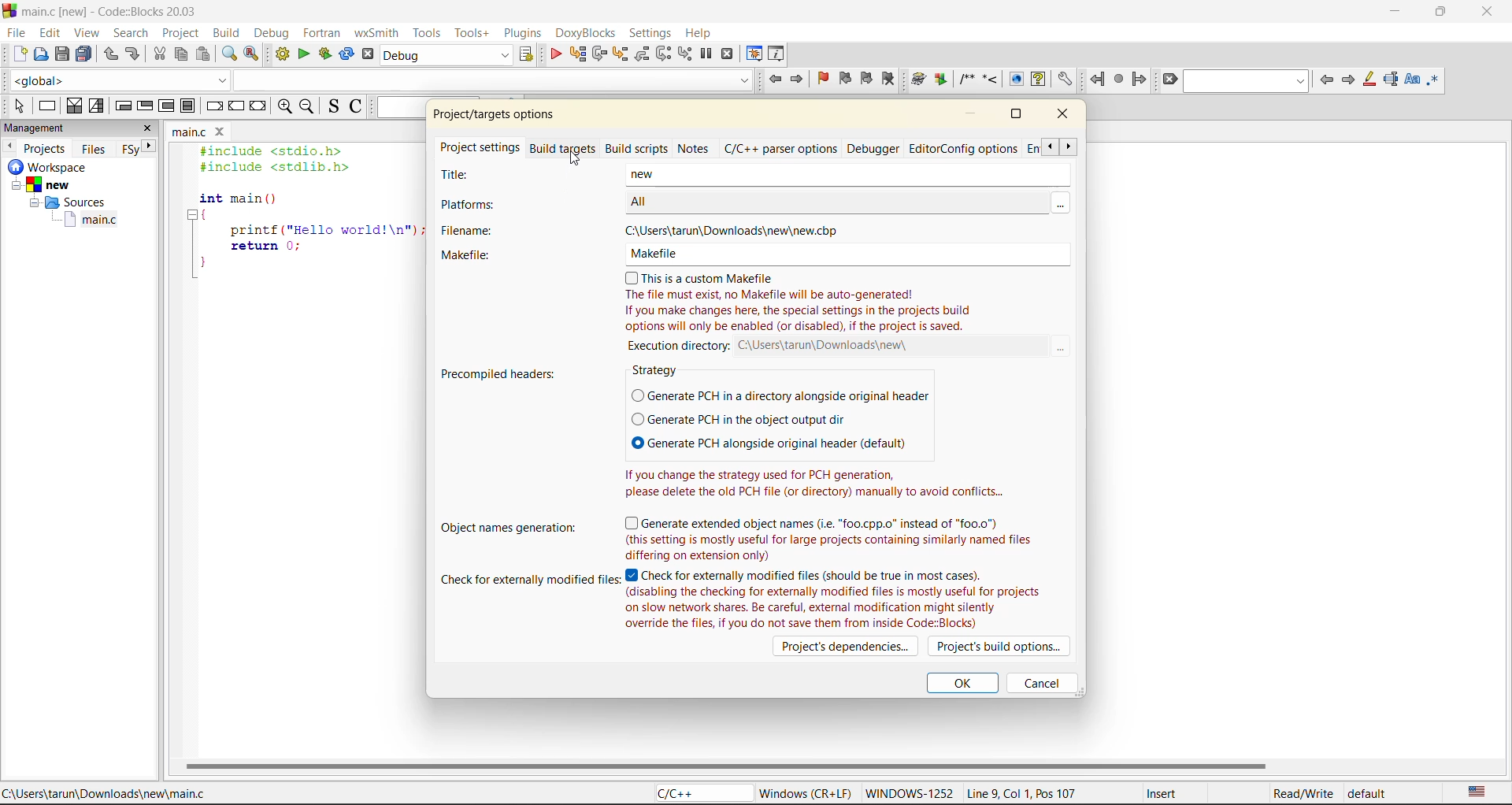  I want to click on build scripts, so click(636, 148).